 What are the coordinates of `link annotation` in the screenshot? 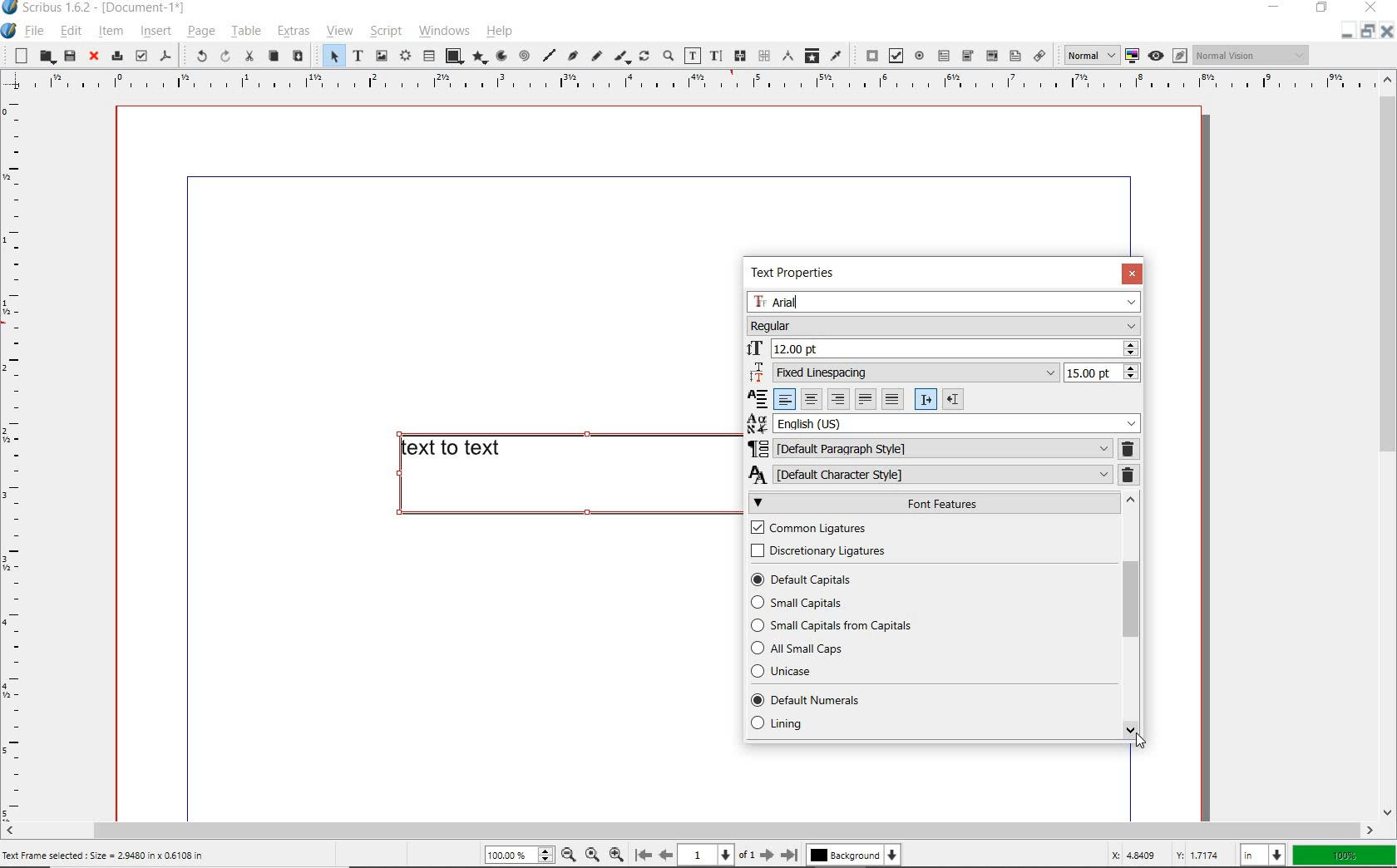 It's located at (1040, 55).